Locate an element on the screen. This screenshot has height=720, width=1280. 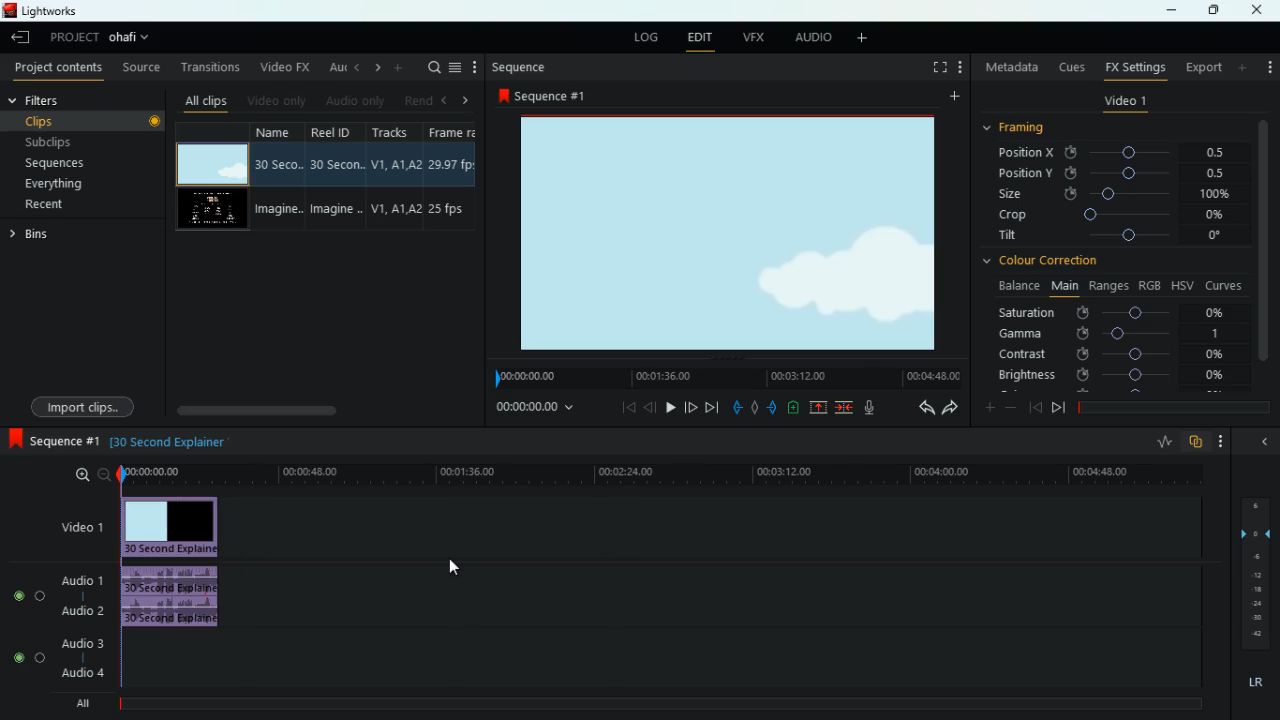
sequence is located at coordinates (522, 68).